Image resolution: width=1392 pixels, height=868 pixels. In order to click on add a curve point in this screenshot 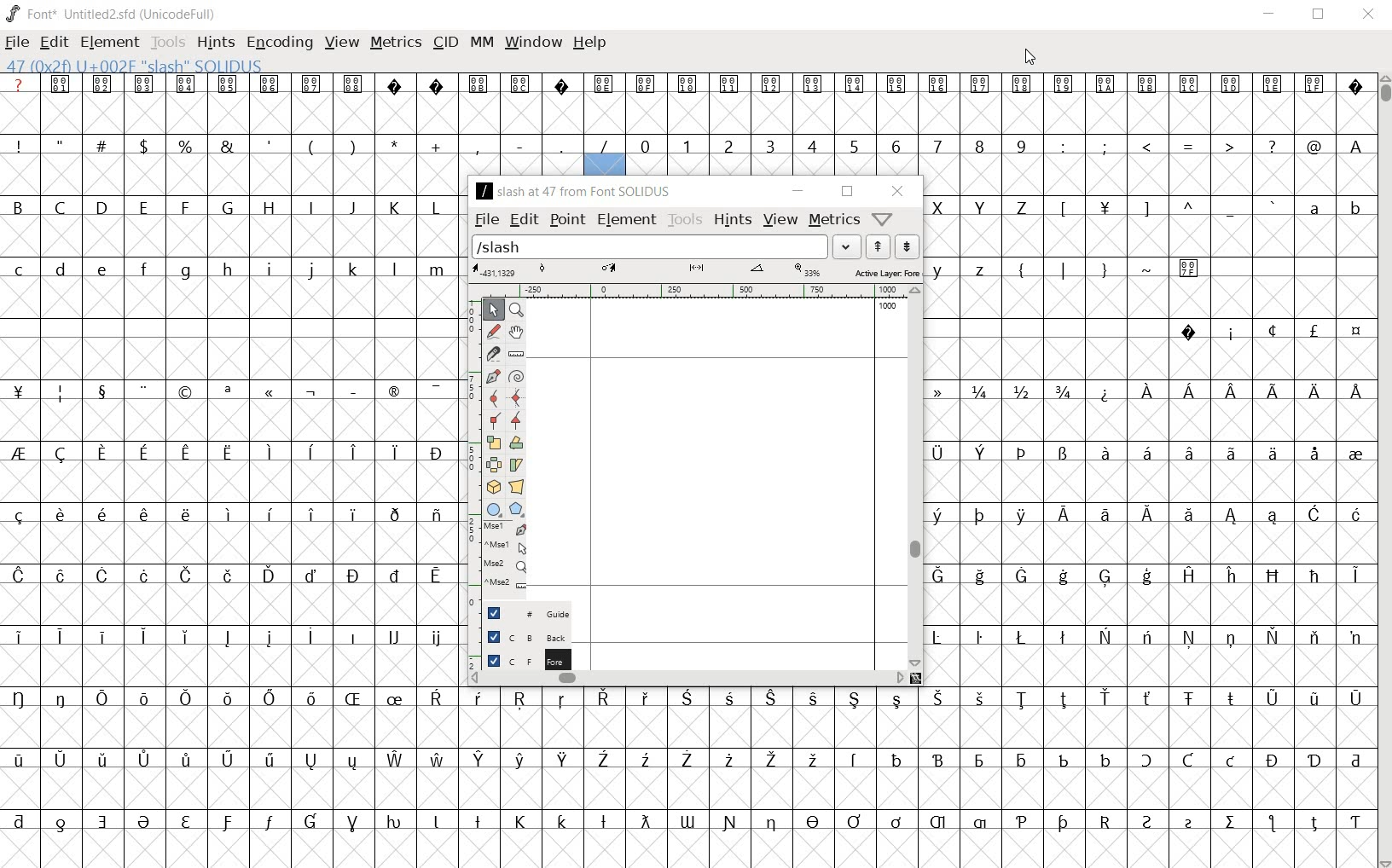, I will do `click(494, 399)`.